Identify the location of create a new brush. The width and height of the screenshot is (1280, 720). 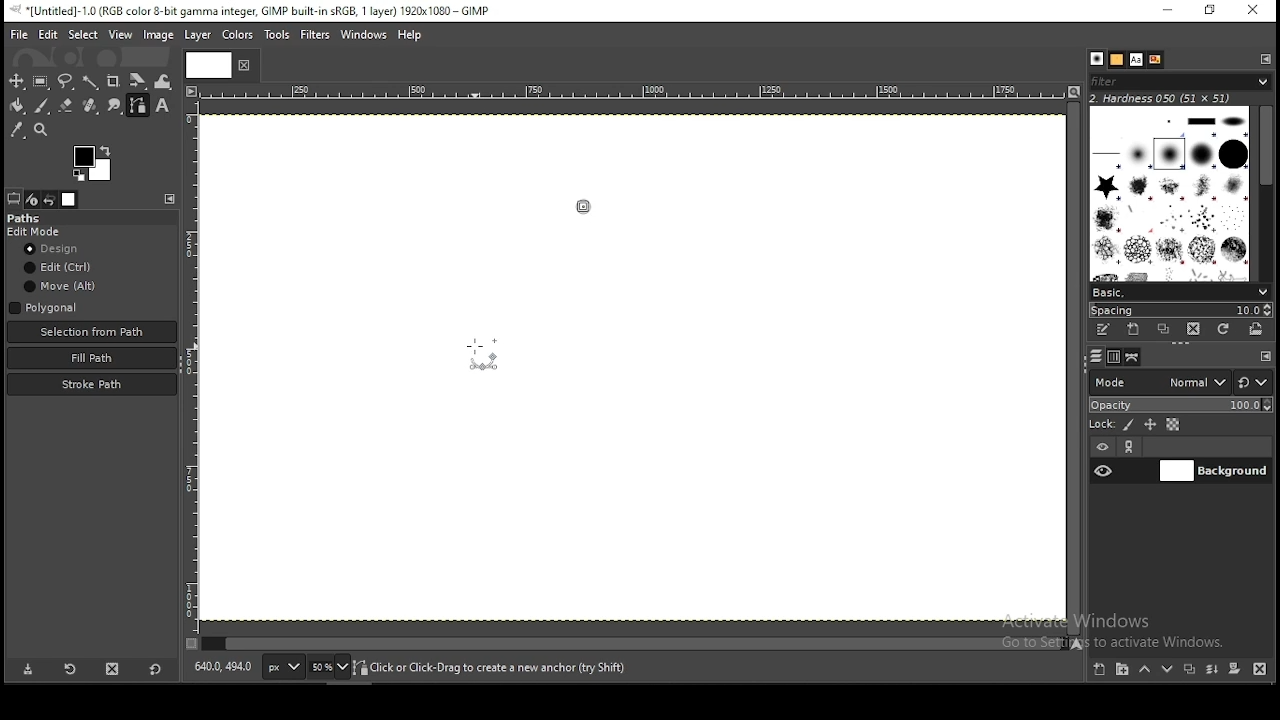
(1135, 329).